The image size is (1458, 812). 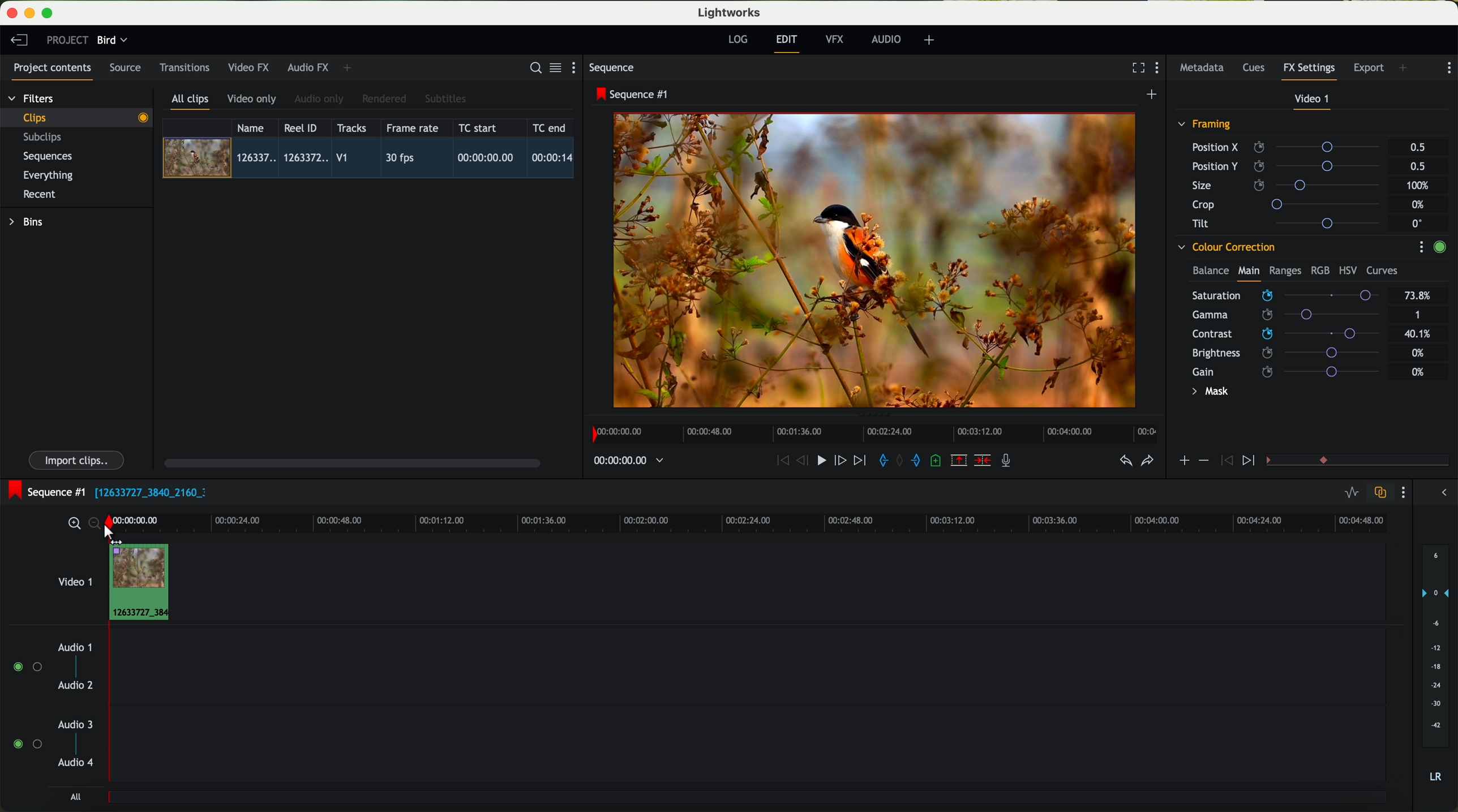 What do you see at coordinates (1319, 269) in the screenshot?
I see `RGB` at bounding box center [1319, 269].